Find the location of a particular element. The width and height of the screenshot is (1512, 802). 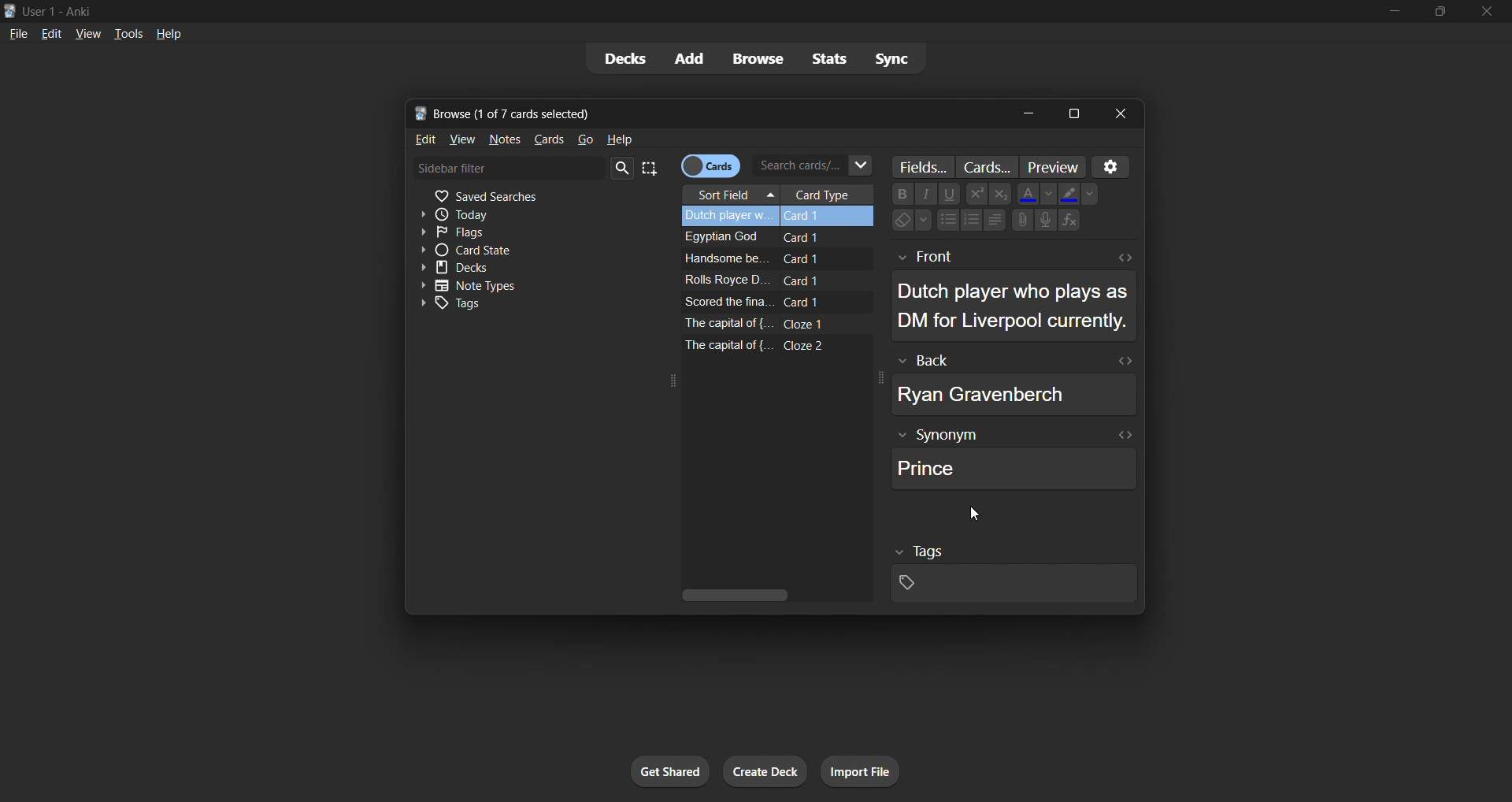

import file is located at coordinates (865, 770).